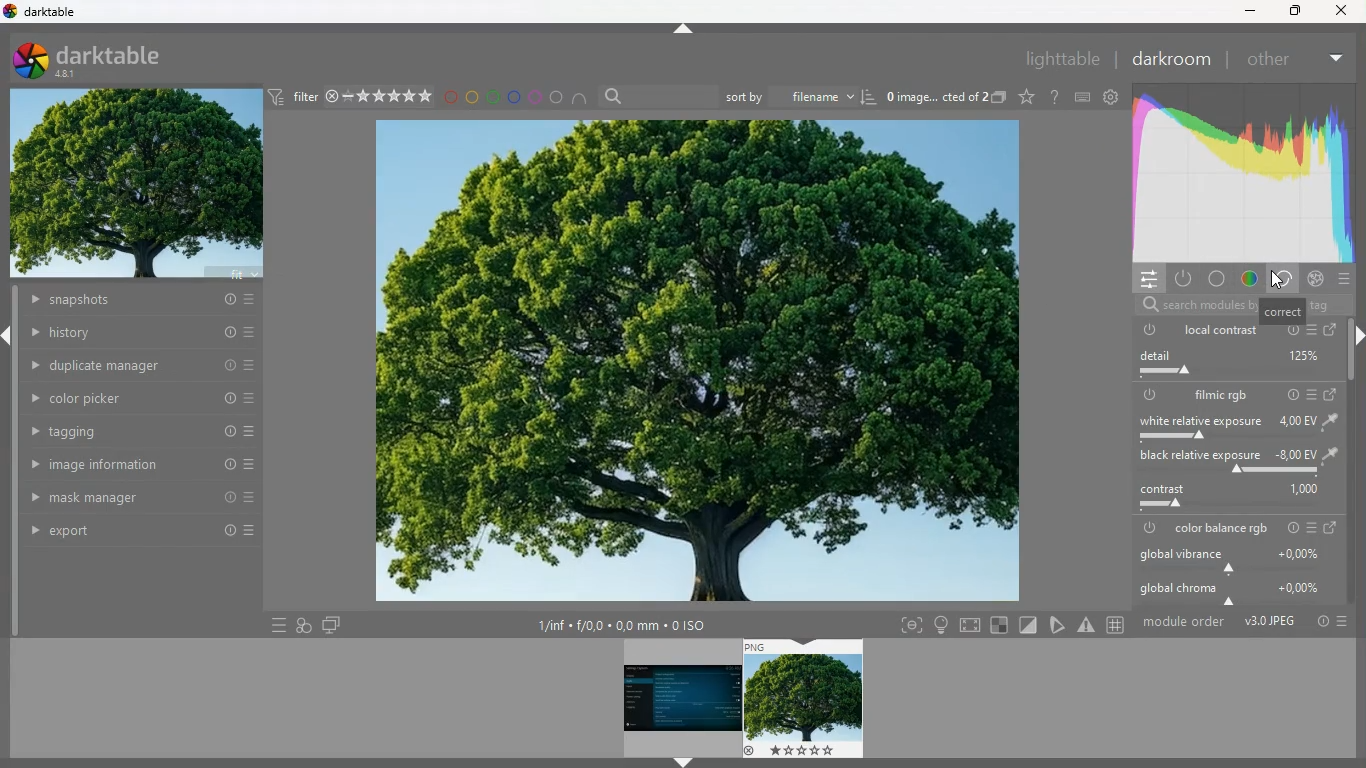 The height and width of the screenshot is (768, 1366). I want to click on color picker, so click(132, 397).